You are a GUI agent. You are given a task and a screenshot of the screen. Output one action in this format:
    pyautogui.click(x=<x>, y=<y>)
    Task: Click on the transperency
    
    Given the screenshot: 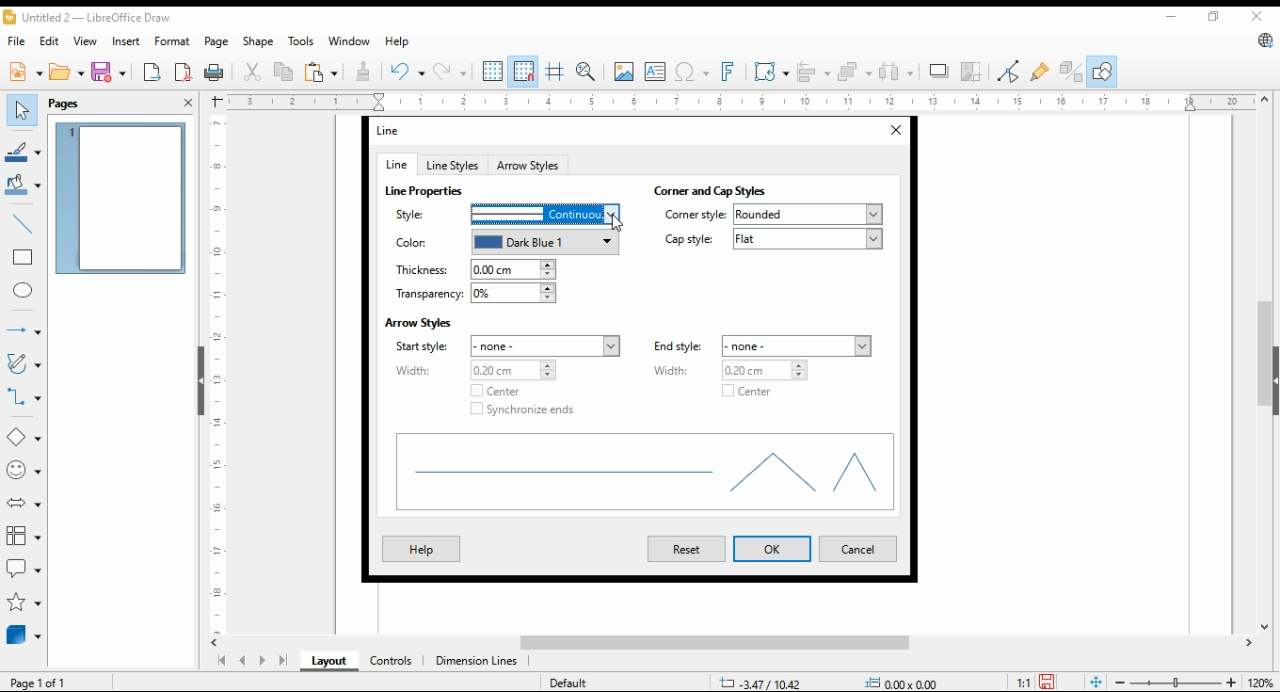 What is the action you would take?
    pyautogui.click(x=474, y=294)
    